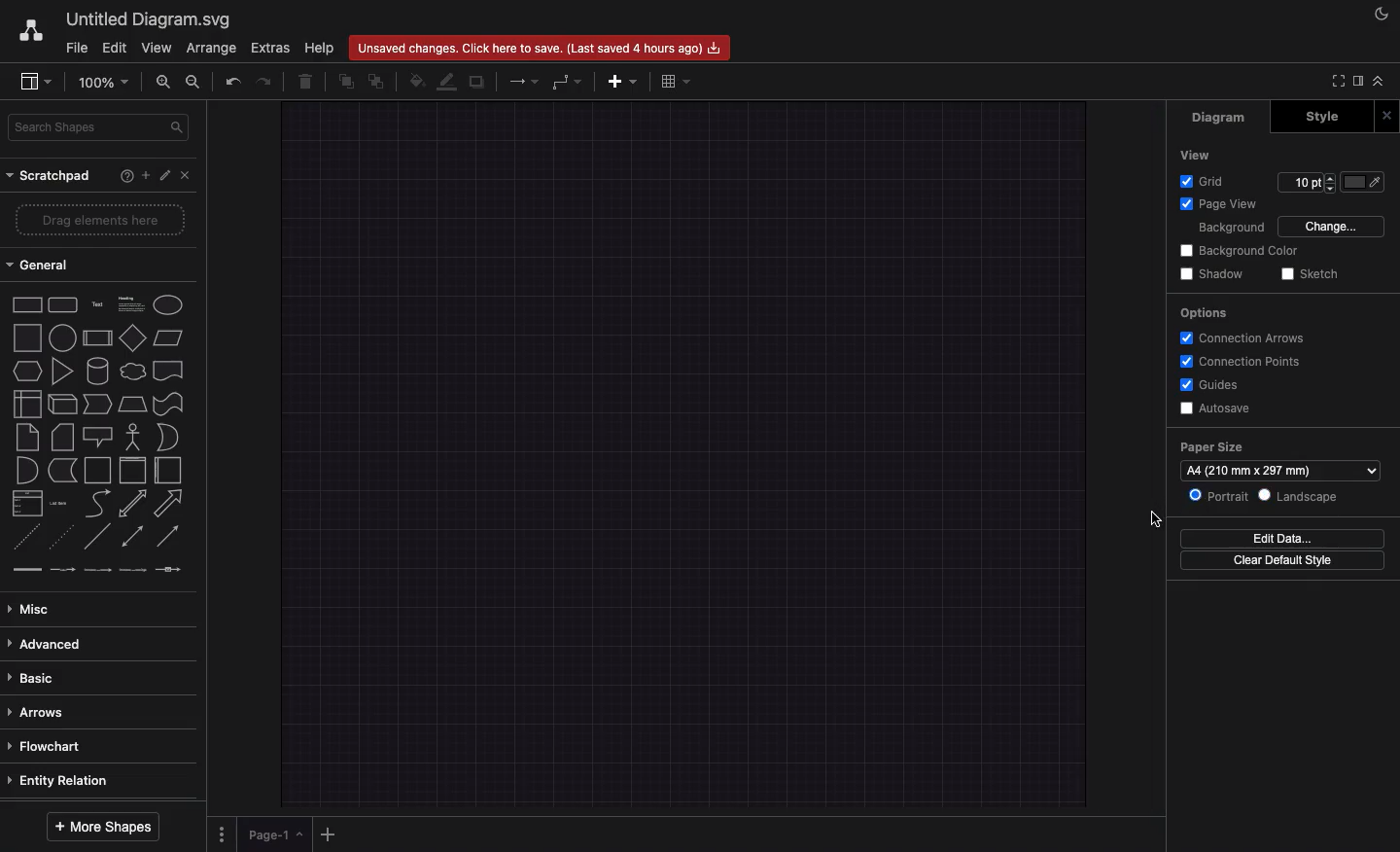 The height and width of the screenshot is (852, 1400). What do you see at coordinates (79, 781) in the screenshot?
I see `Entity relation` at bounding box center [79, 781].